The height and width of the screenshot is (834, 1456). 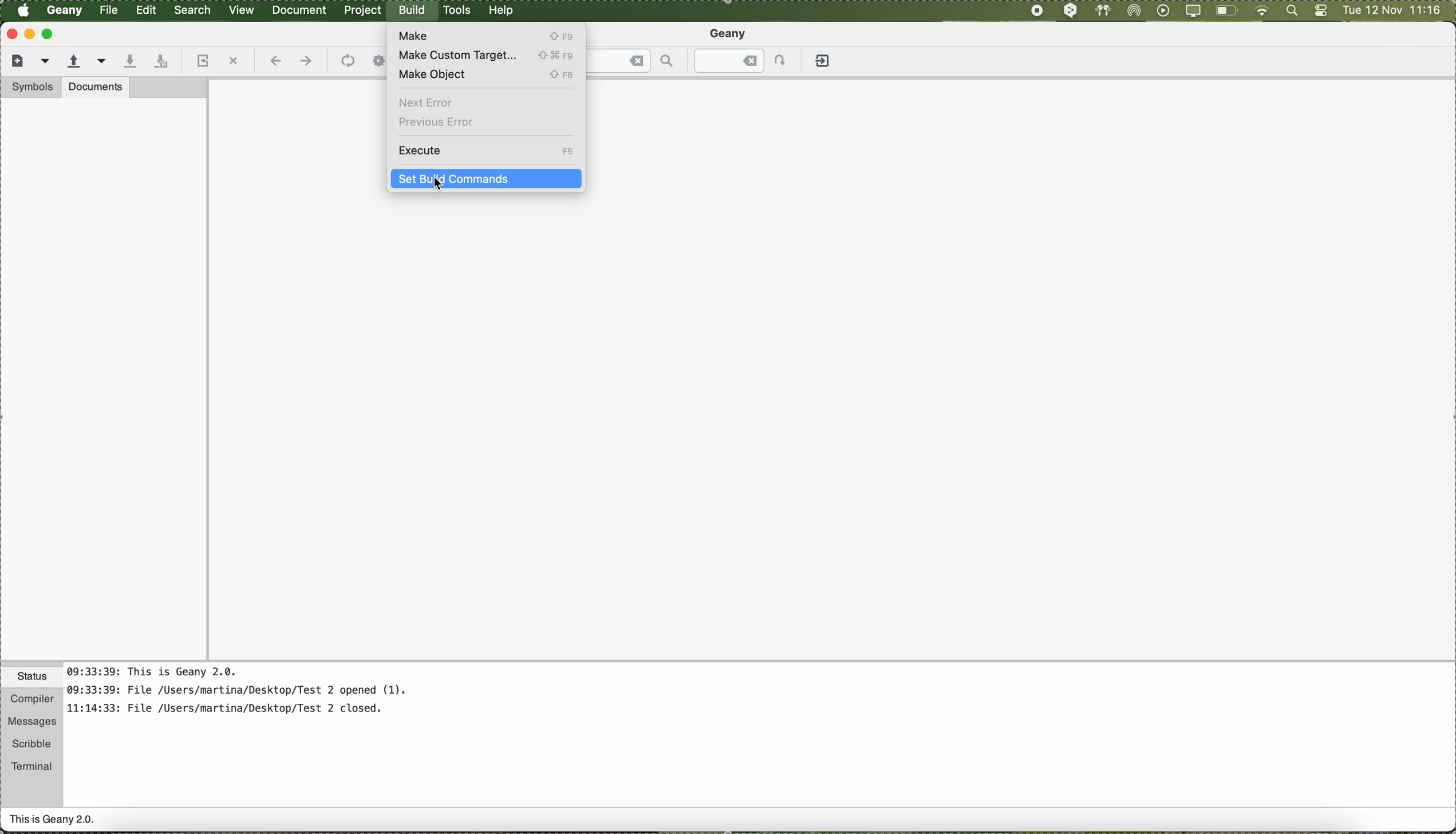 What do you see at coordinates (413, 14) in the screenshot?
I see `click on build` at bounding box center [413, 14].